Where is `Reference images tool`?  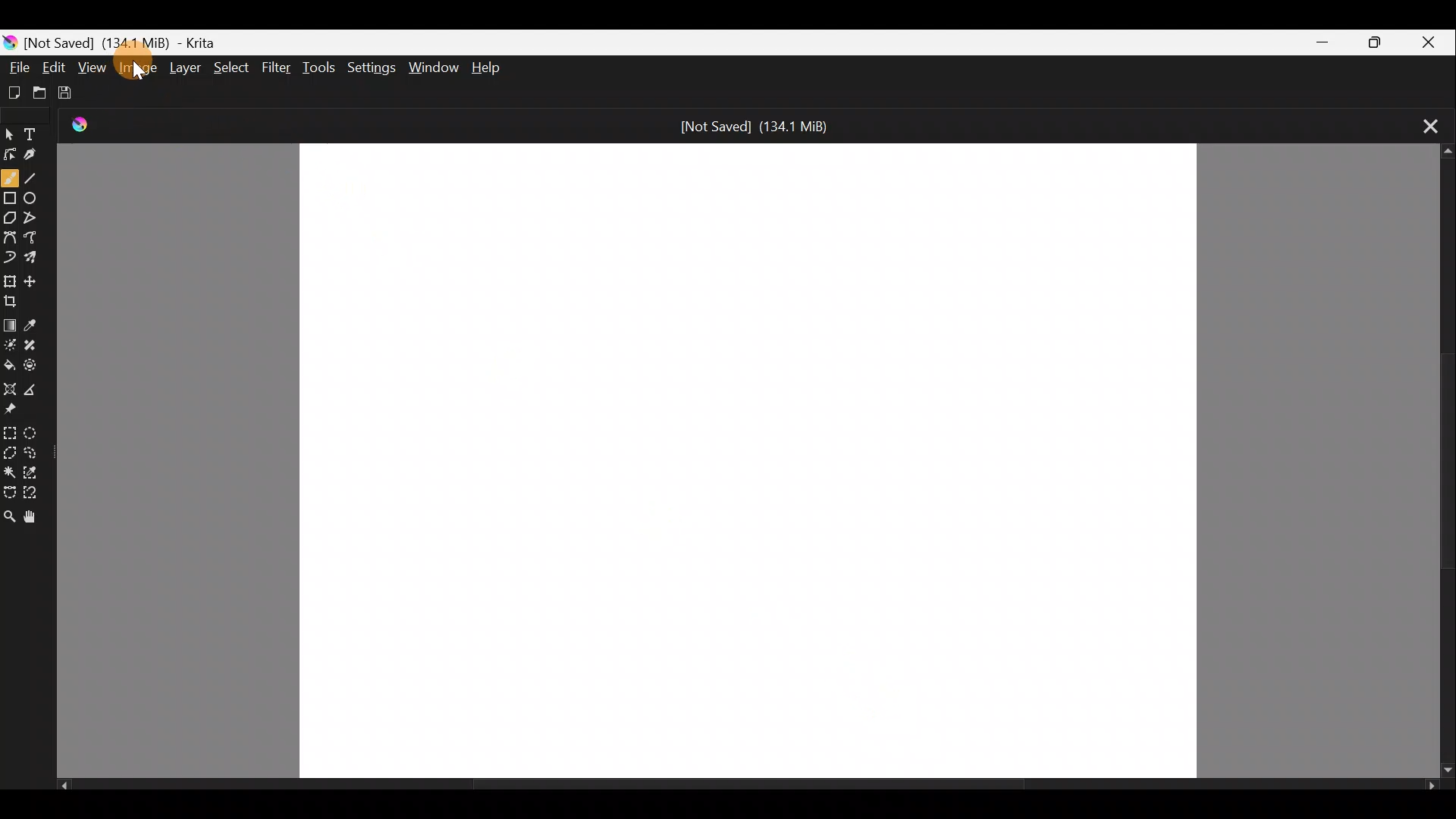
Reference images tool is located at coordinates (12, 411).